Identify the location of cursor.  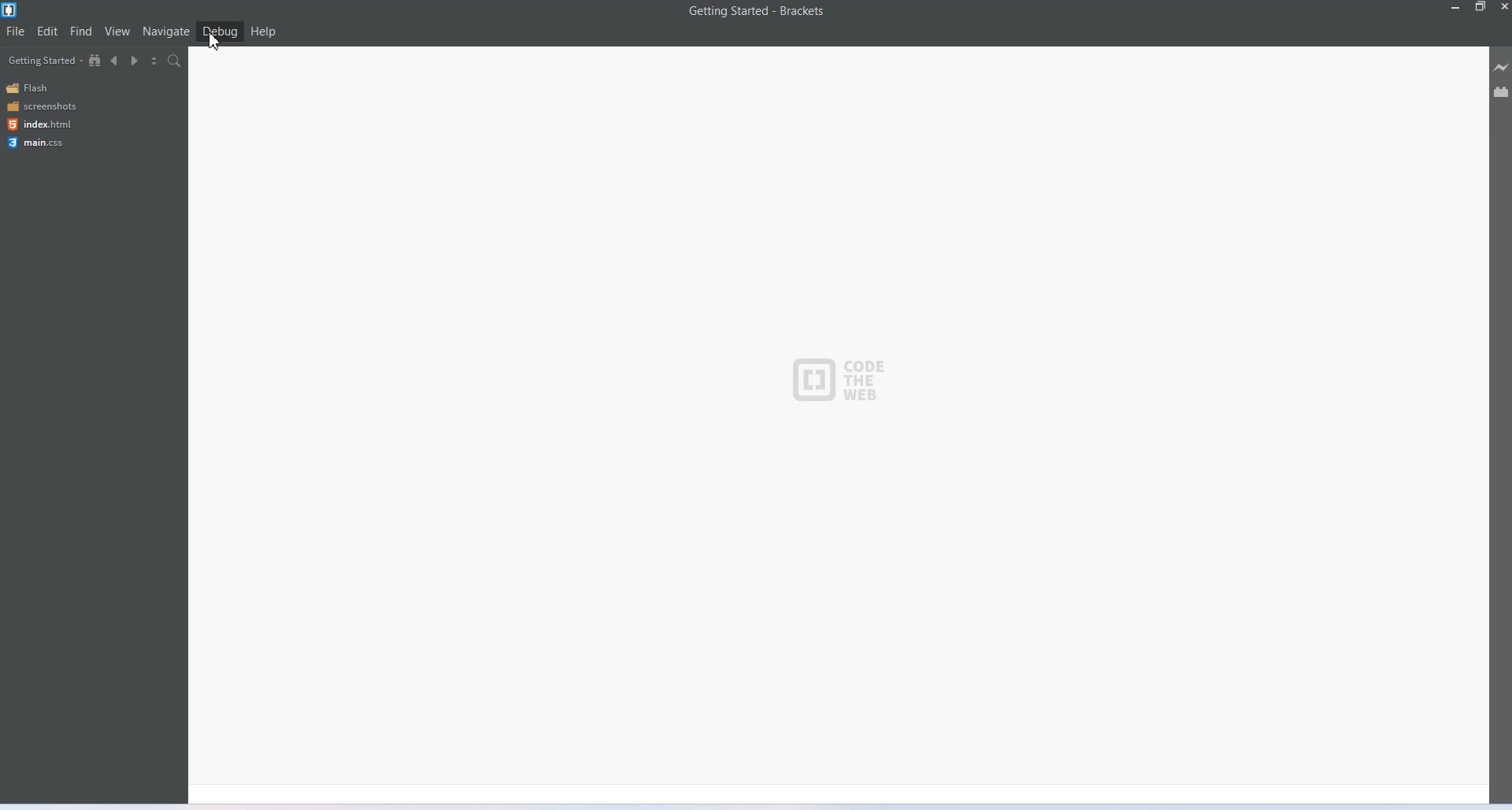
(214, 45).